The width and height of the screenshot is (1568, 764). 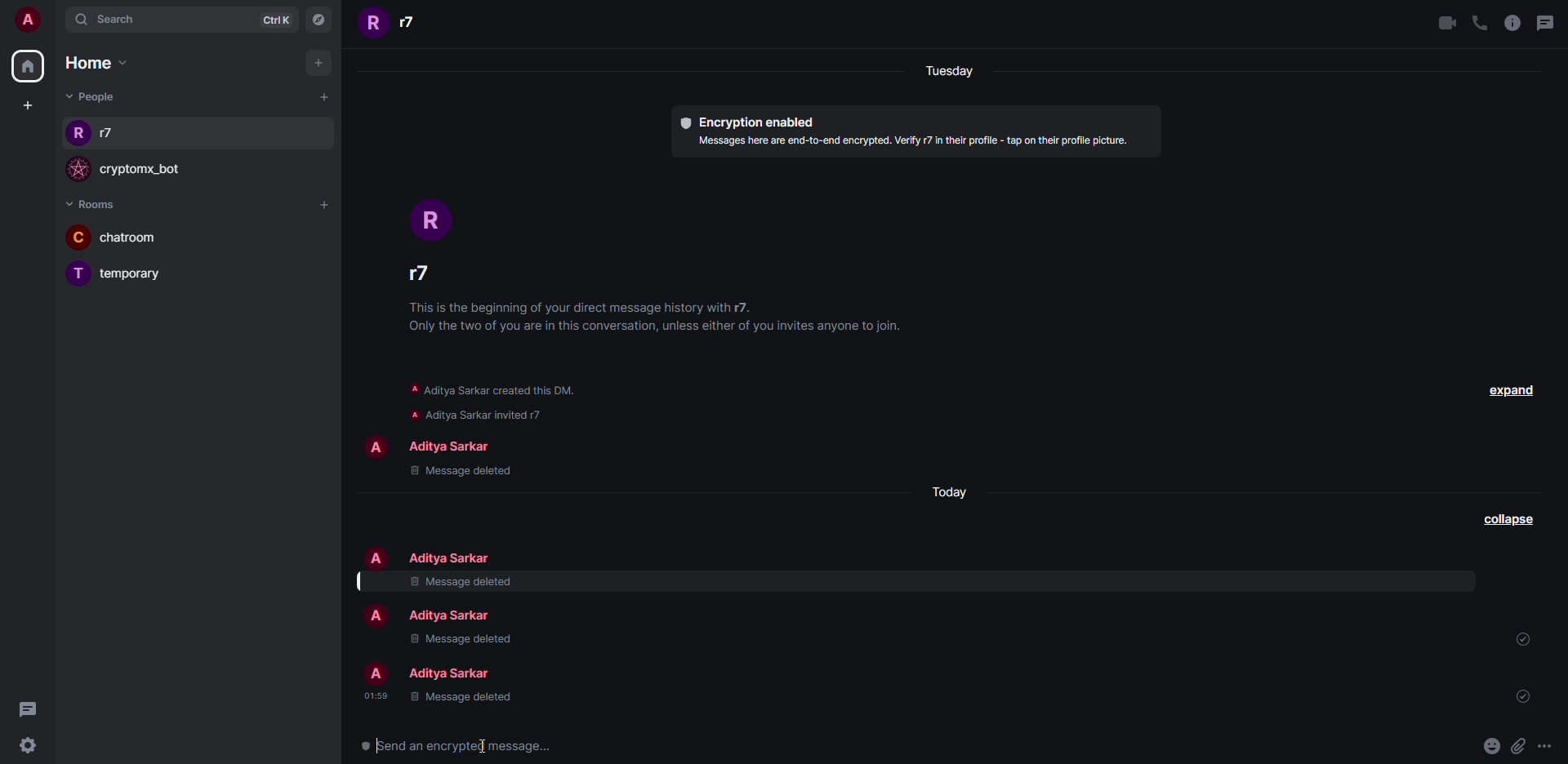 What do you see at coordinates (27, 707) in the screenshot?
I see `threads` at bounding box center [27, 707].